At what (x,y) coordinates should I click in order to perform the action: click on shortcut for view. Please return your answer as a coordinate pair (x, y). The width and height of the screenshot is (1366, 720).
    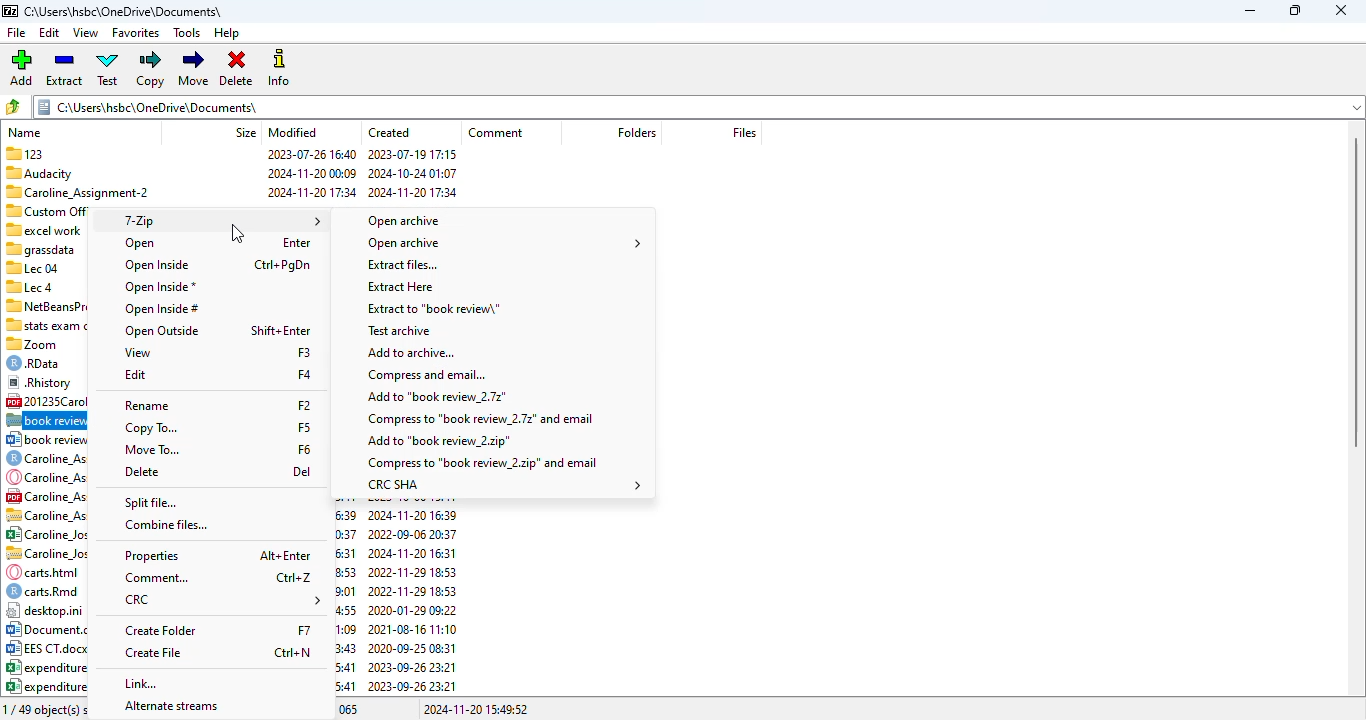
    Looking at the image, I should click on (305, 352).